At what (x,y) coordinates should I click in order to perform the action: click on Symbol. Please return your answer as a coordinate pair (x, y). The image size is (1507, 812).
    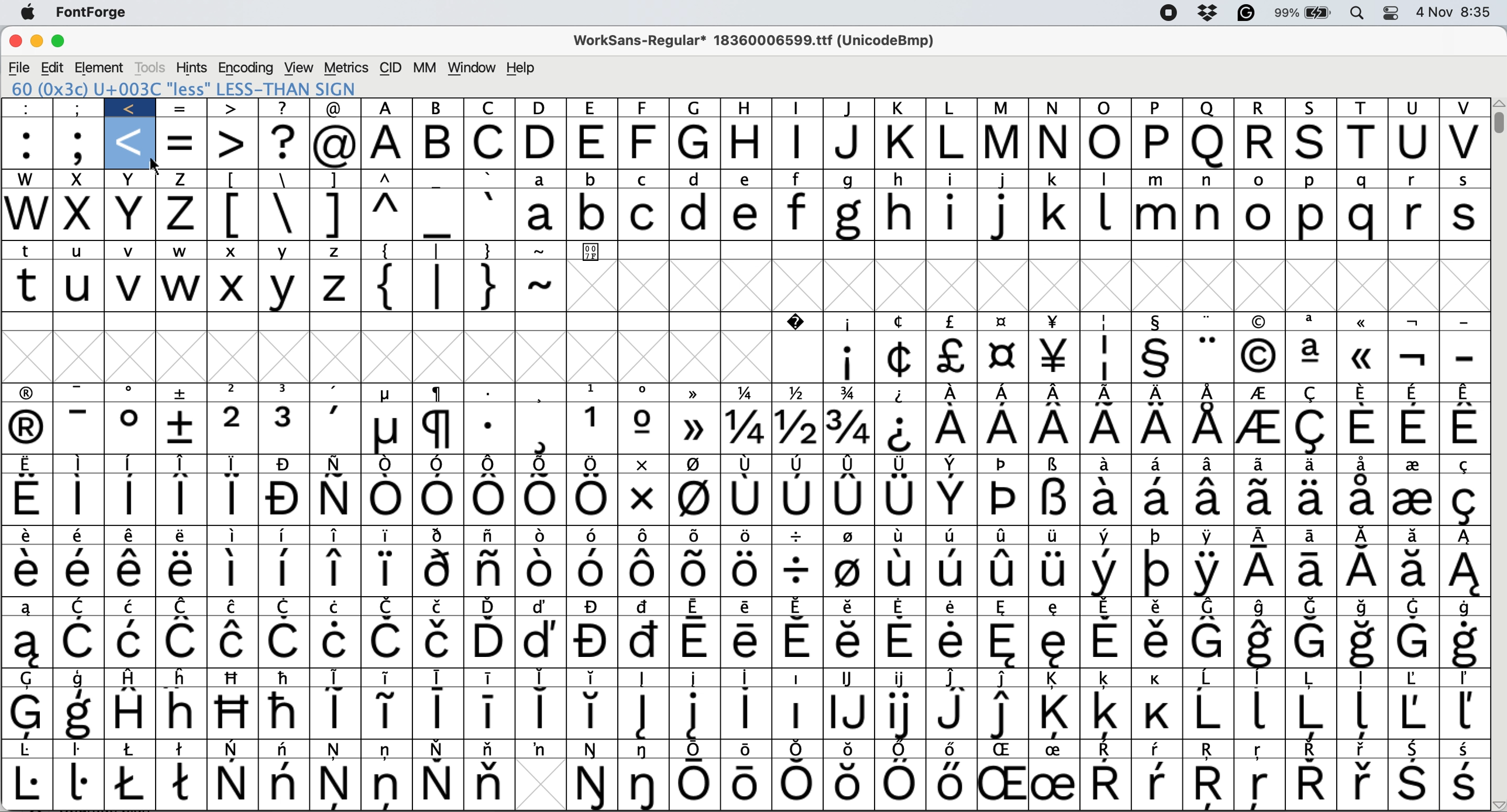
    Looking at the image, I should click on (1003, 750).